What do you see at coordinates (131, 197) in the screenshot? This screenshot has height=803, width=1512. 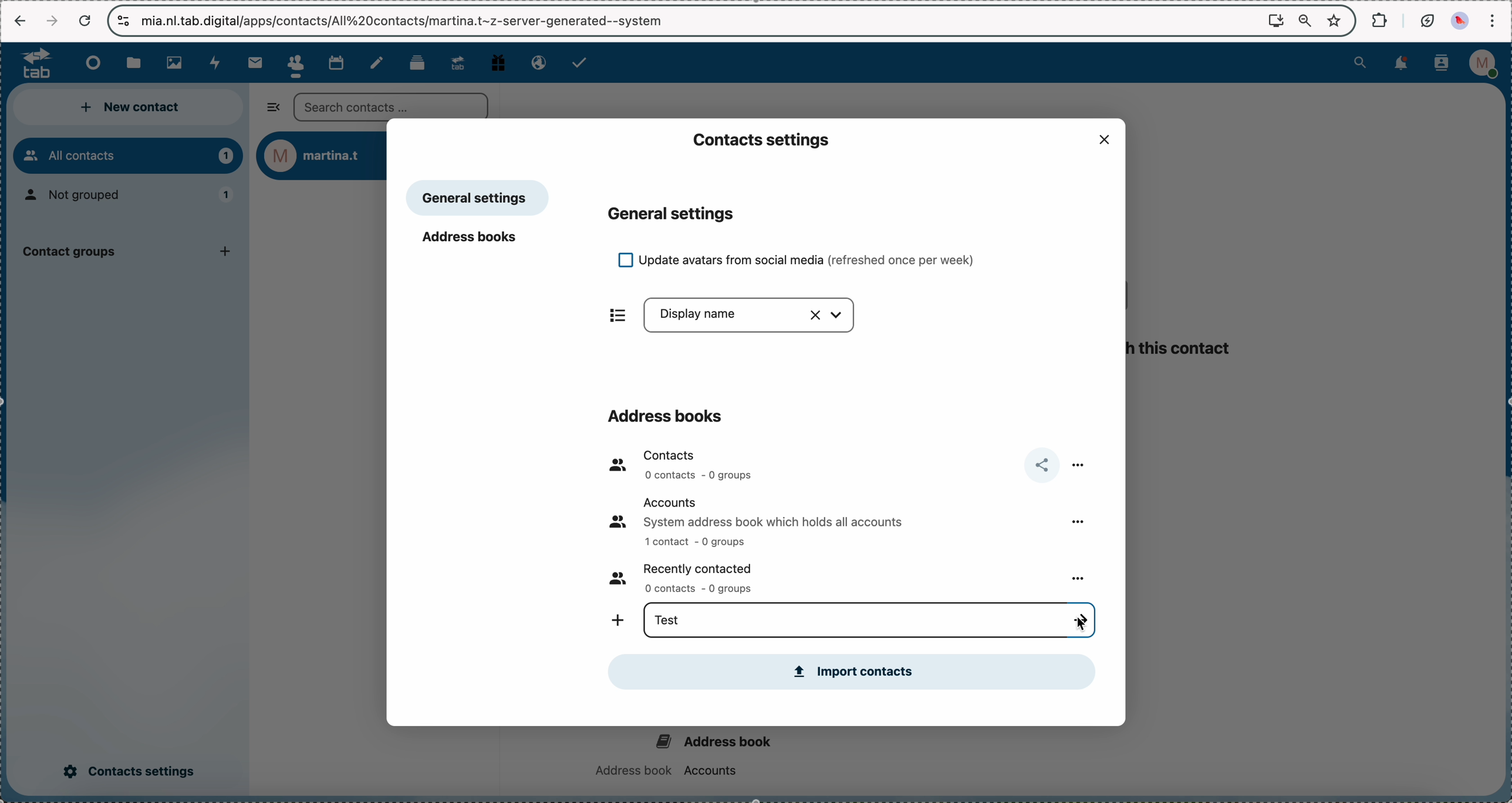 I see `not grouped` at bounding box center [131, 197].